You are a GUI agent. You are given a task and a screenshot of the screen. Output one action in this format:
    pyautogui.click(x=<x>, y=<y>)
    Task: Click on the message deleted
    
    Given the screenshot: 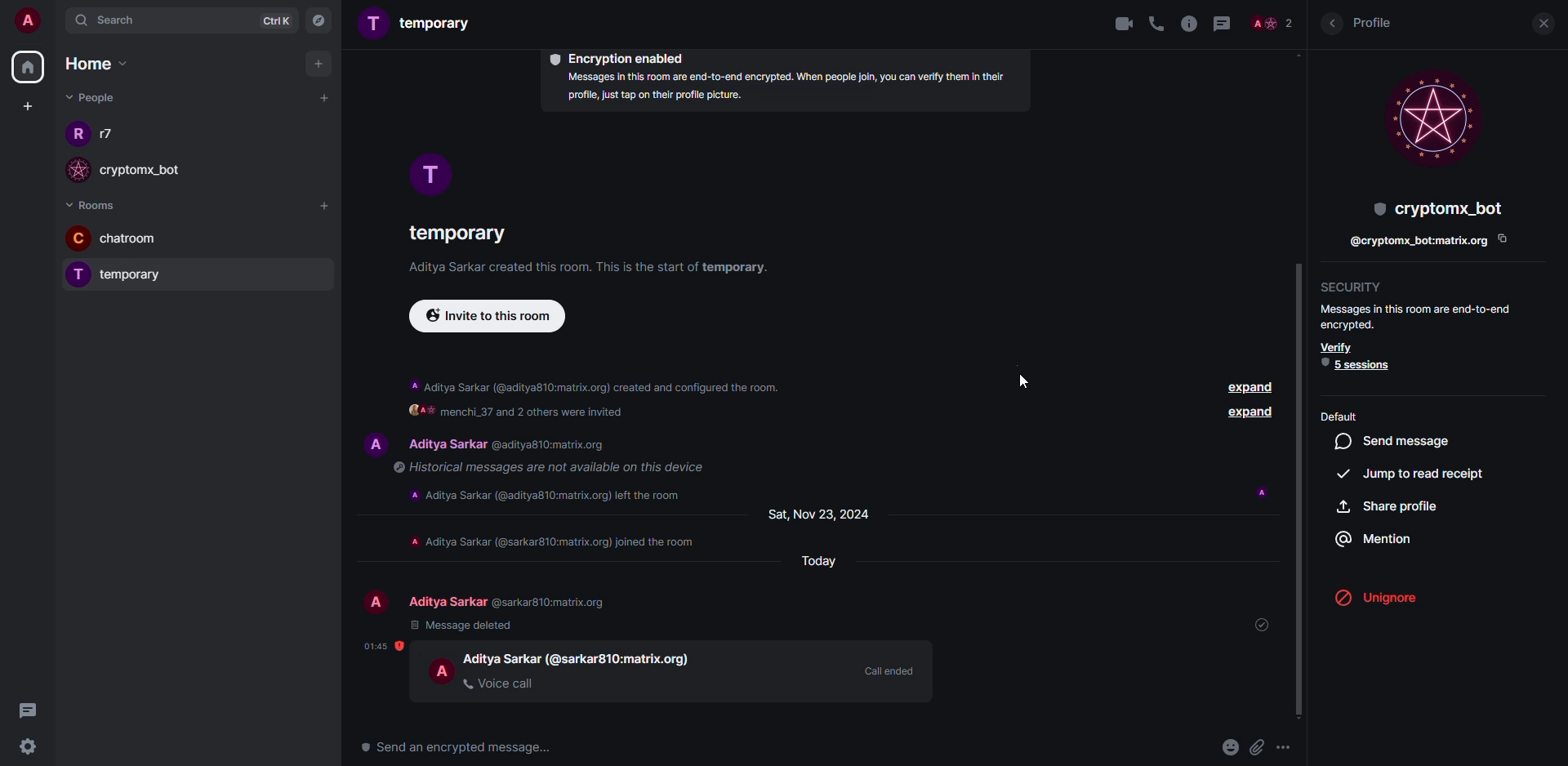 What is the action you would take?
    pyautogui.click(x=463, y=625)
    